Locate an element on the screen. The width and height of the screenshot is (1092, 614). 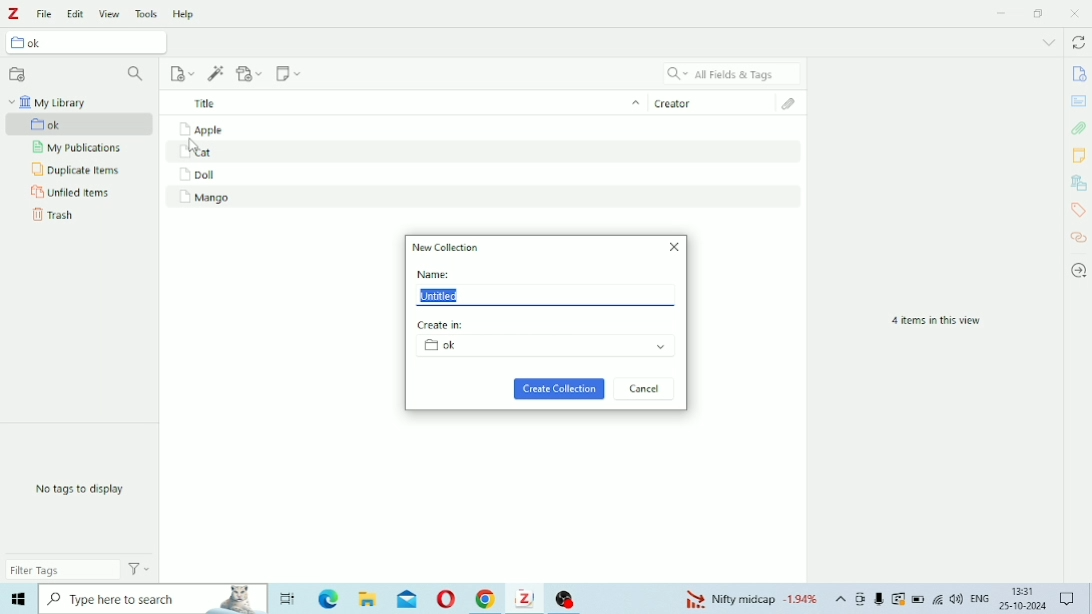
Attachments is located at coordinates (1079, 128).